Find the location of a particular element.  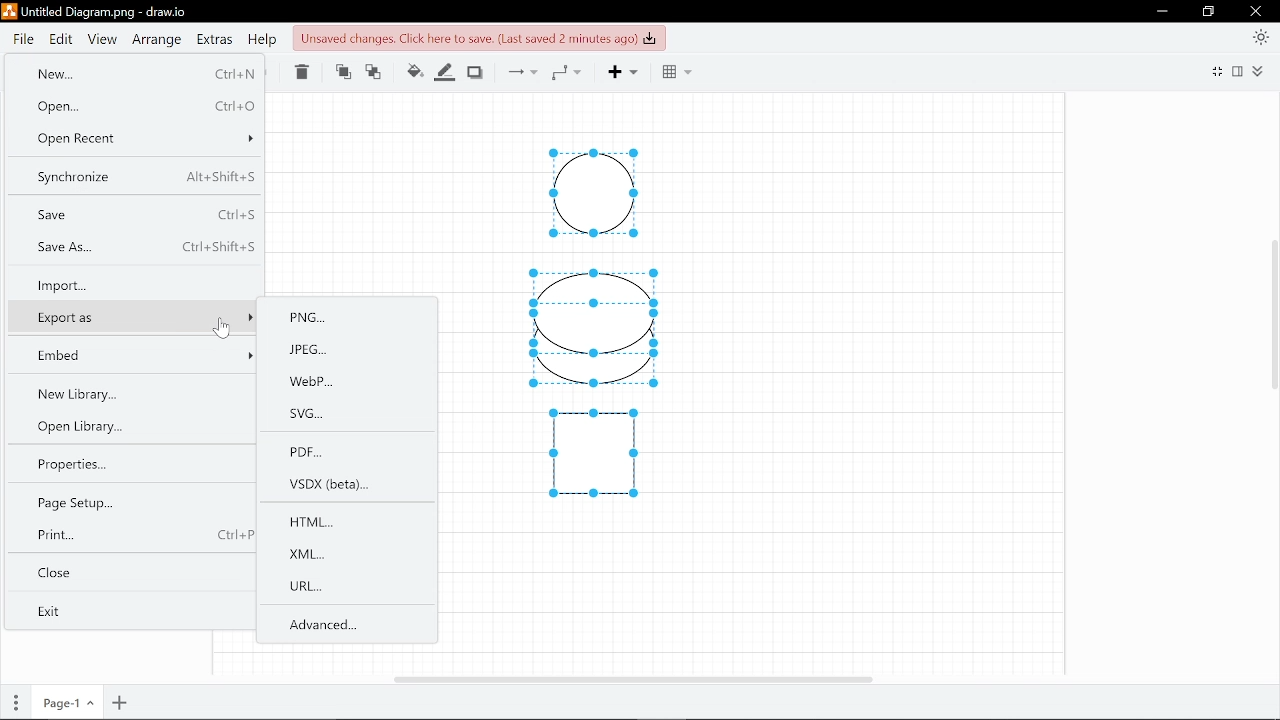

PDF is located at coordinates (349, 454).